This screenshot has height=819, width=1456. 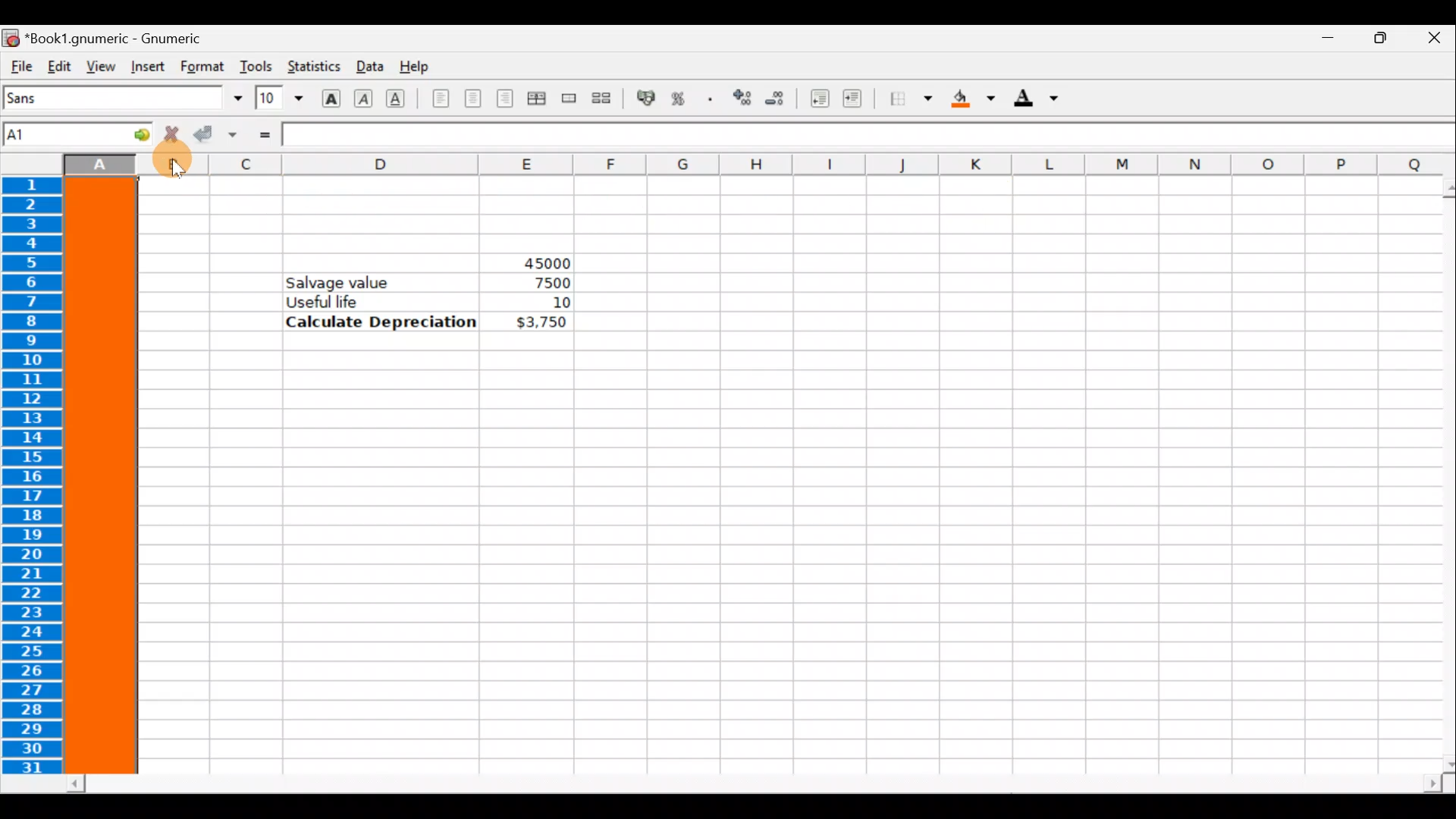 I want to click on File, so click(x=20, y=67).